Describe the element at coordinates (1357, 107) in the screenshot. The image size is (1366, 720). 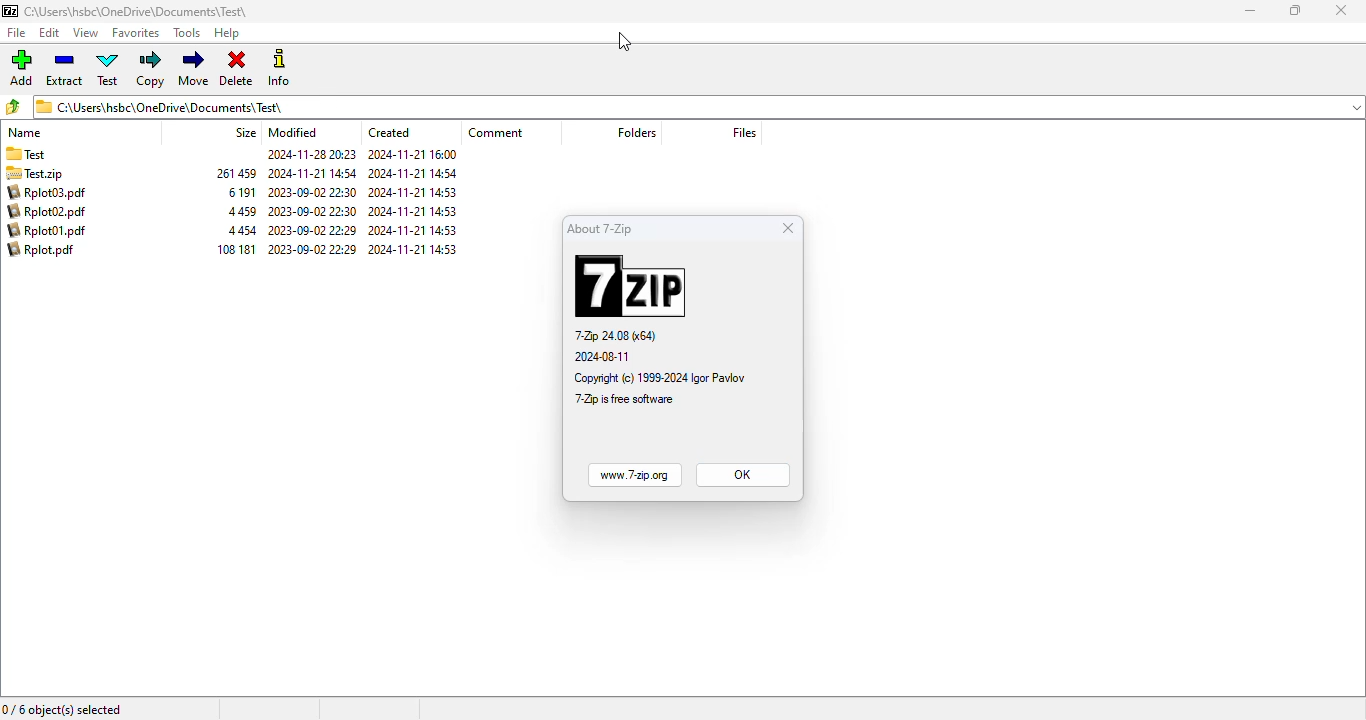
I see `drop down` at that location.